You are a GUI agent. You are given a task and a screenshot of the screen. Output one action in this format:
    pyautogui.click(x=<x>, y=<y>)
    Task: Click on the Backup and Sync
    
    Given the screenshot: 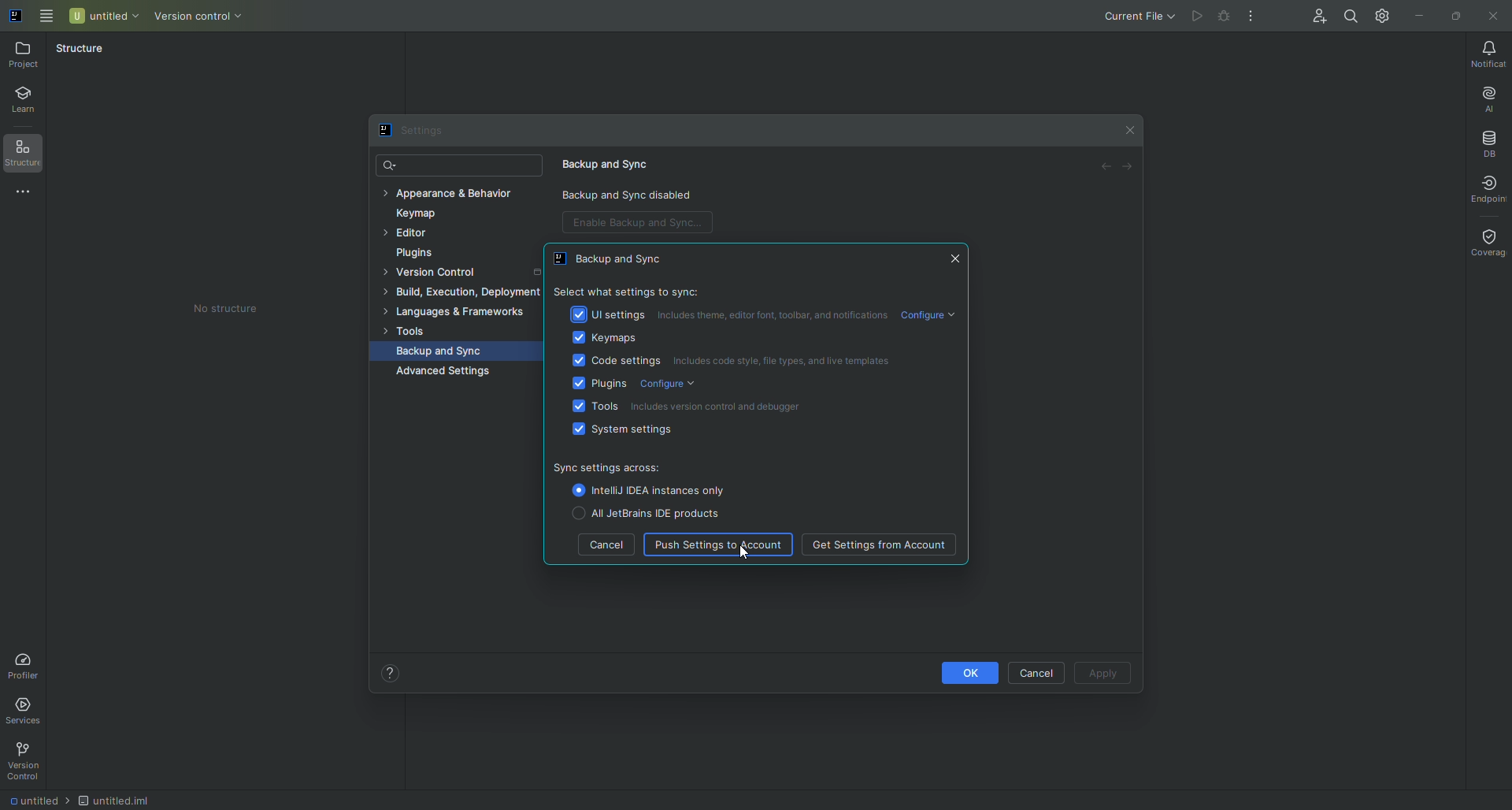 What is the action you would take?
    pyautogui.click(x=615, y=162)
    